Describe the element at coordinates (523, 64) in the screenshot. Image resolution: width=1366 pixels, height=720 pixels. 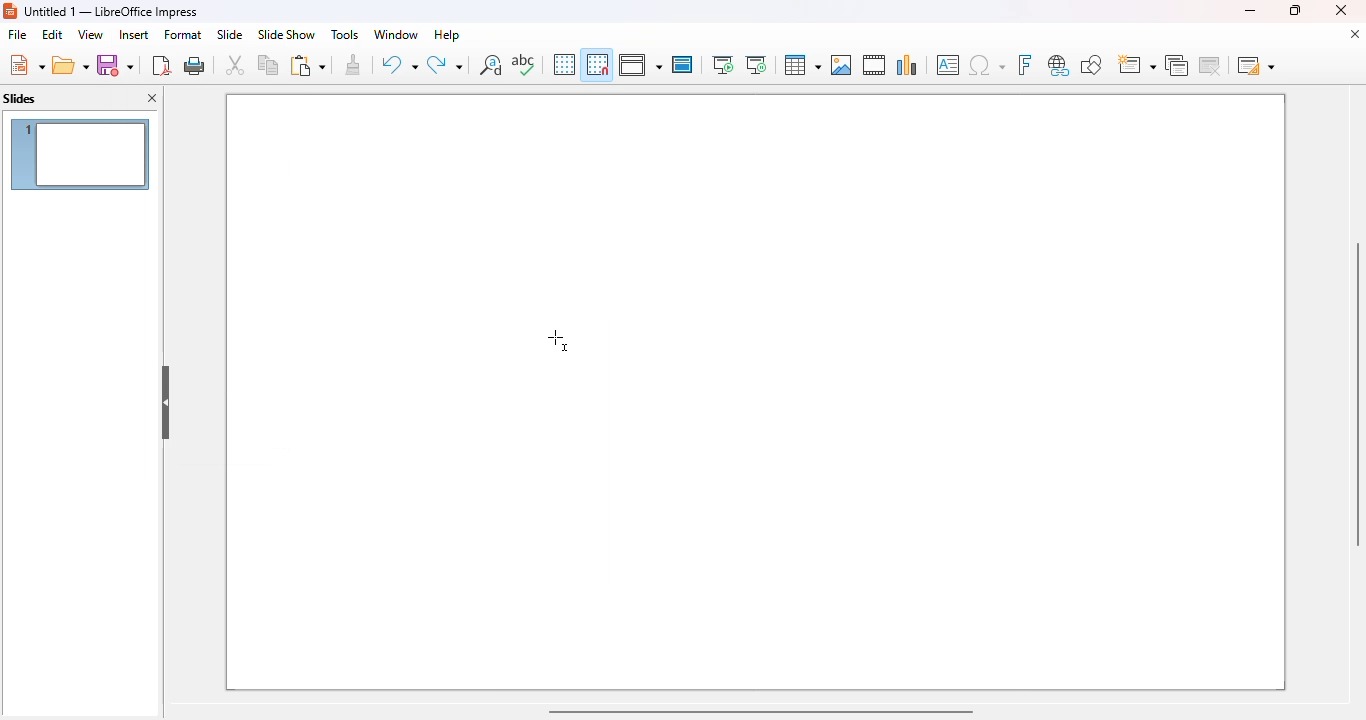
I see `spelling` at that location.